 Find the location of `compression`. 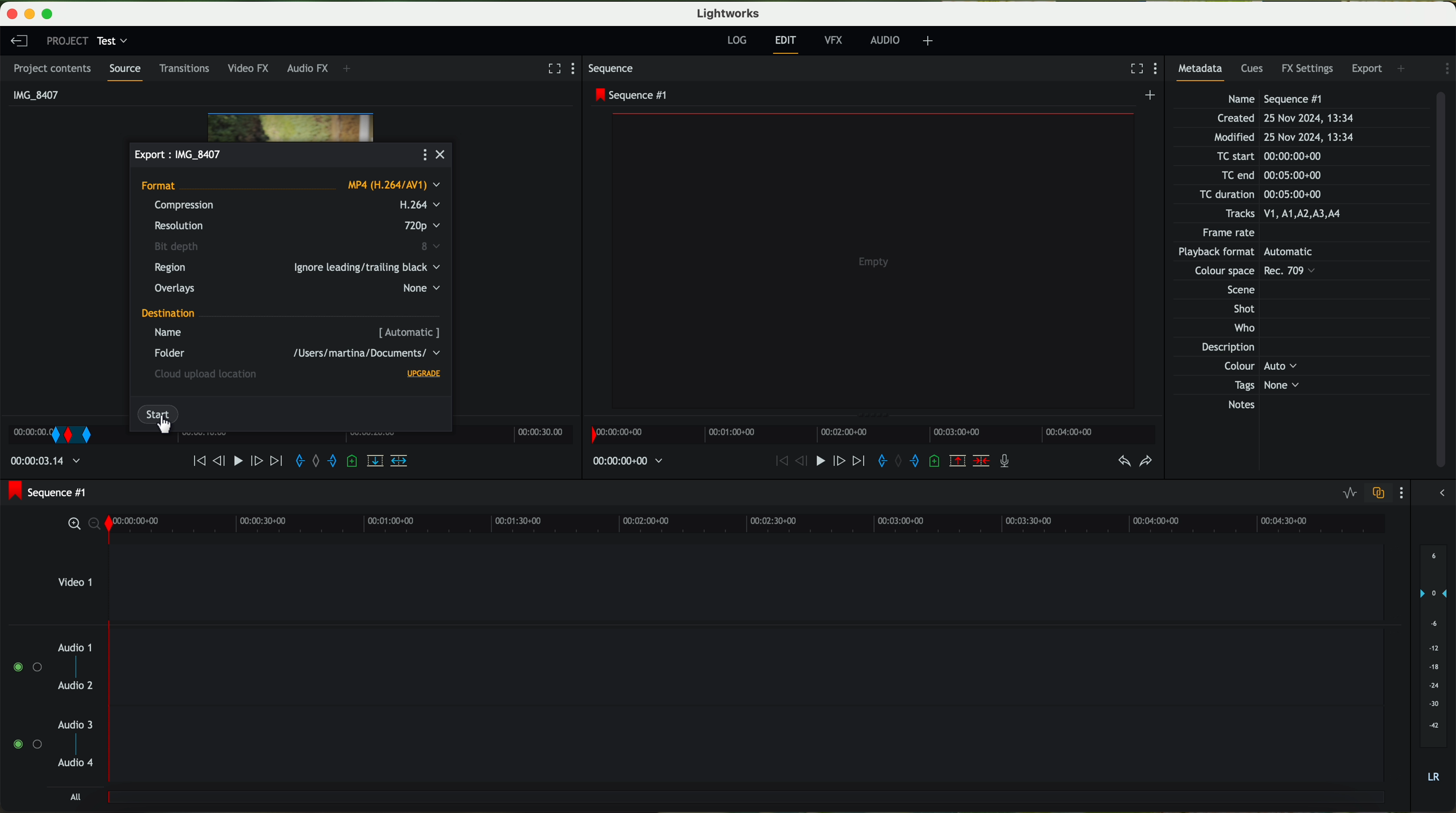

compression is located at coordinates (296, 206).